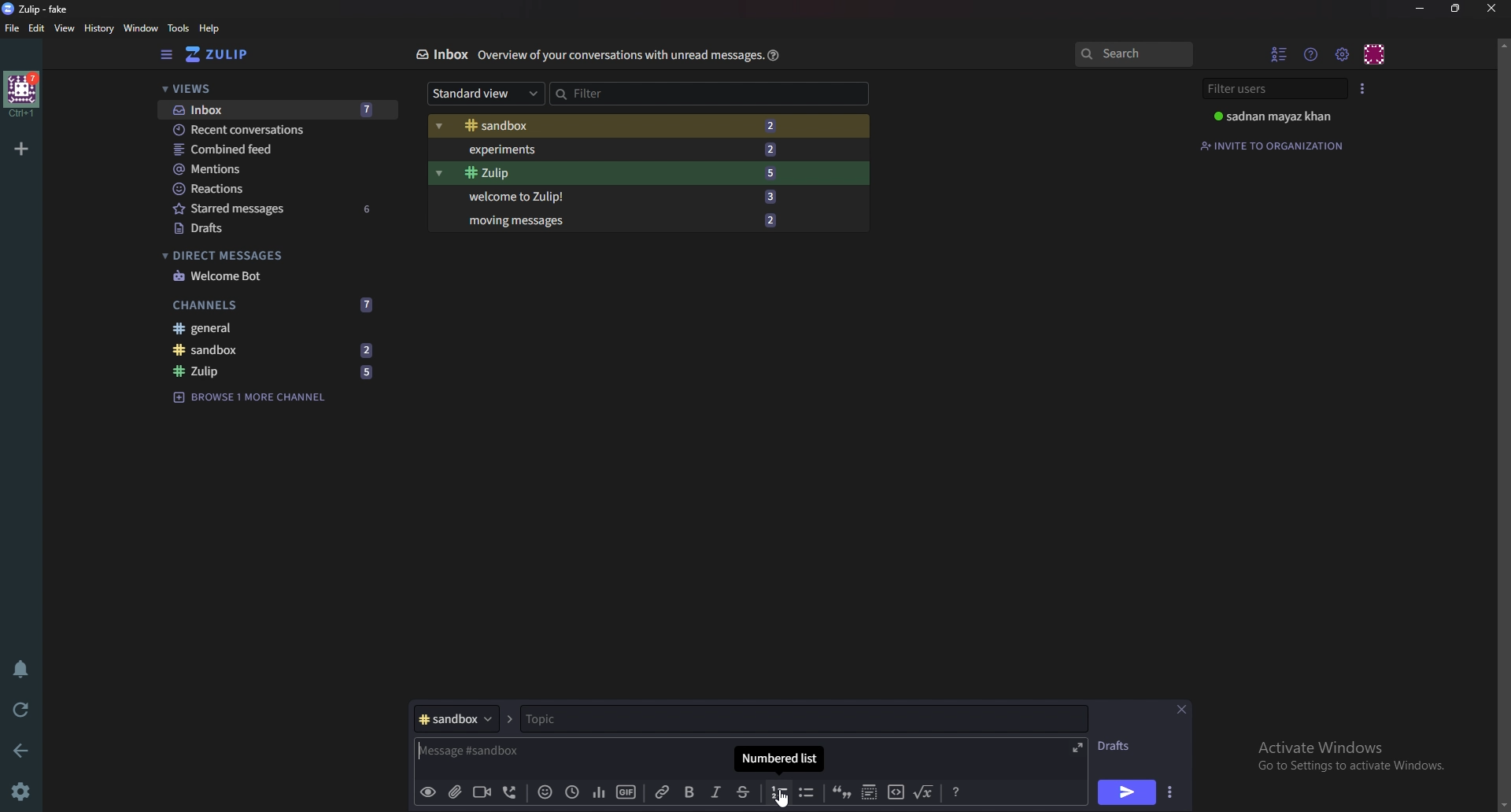  I want to click on Info, so click(616, 56).